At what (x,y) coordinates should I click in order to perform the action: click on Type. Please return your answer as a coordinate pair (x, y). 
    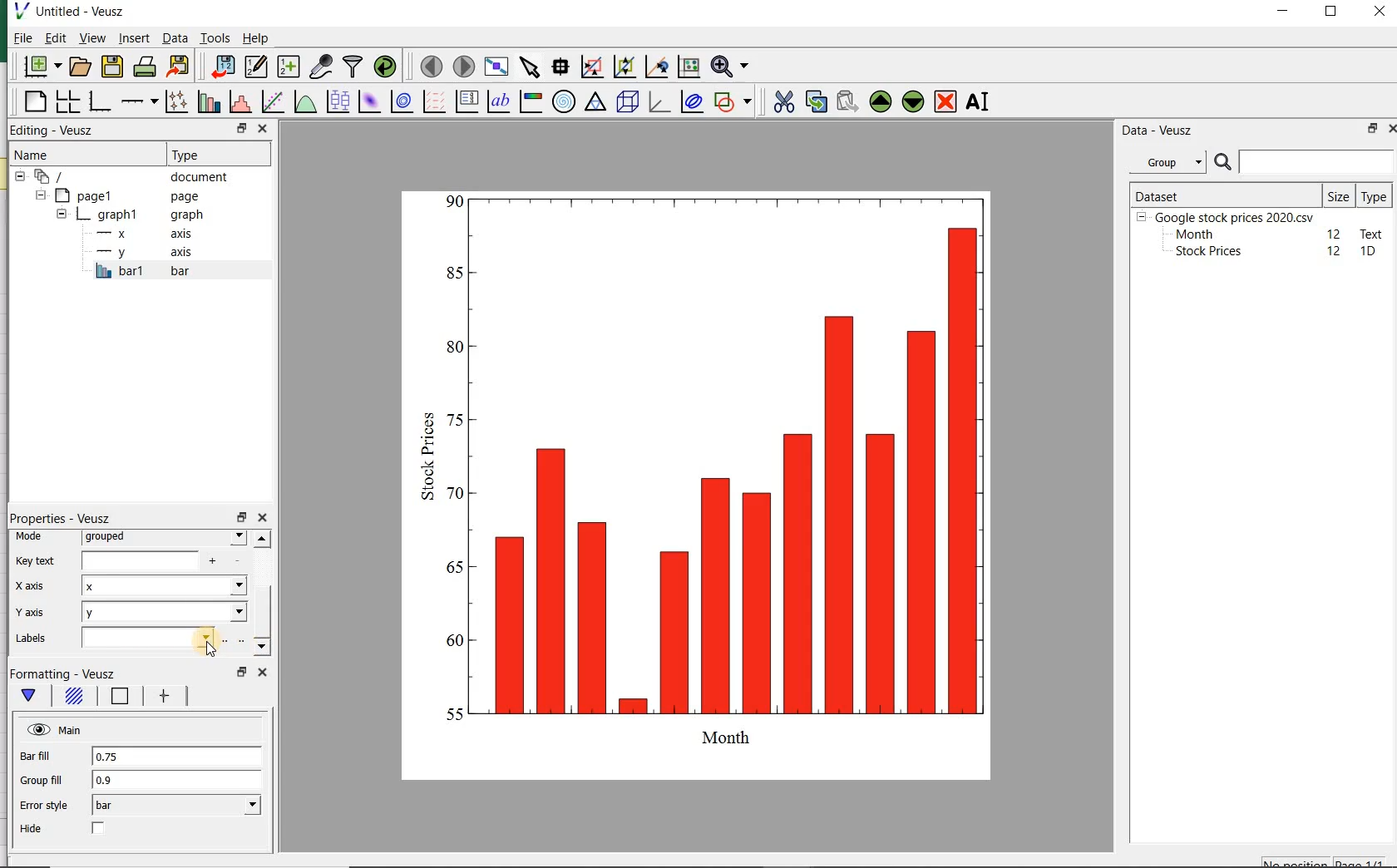
    Looking at the image, I should click on (207, 153).